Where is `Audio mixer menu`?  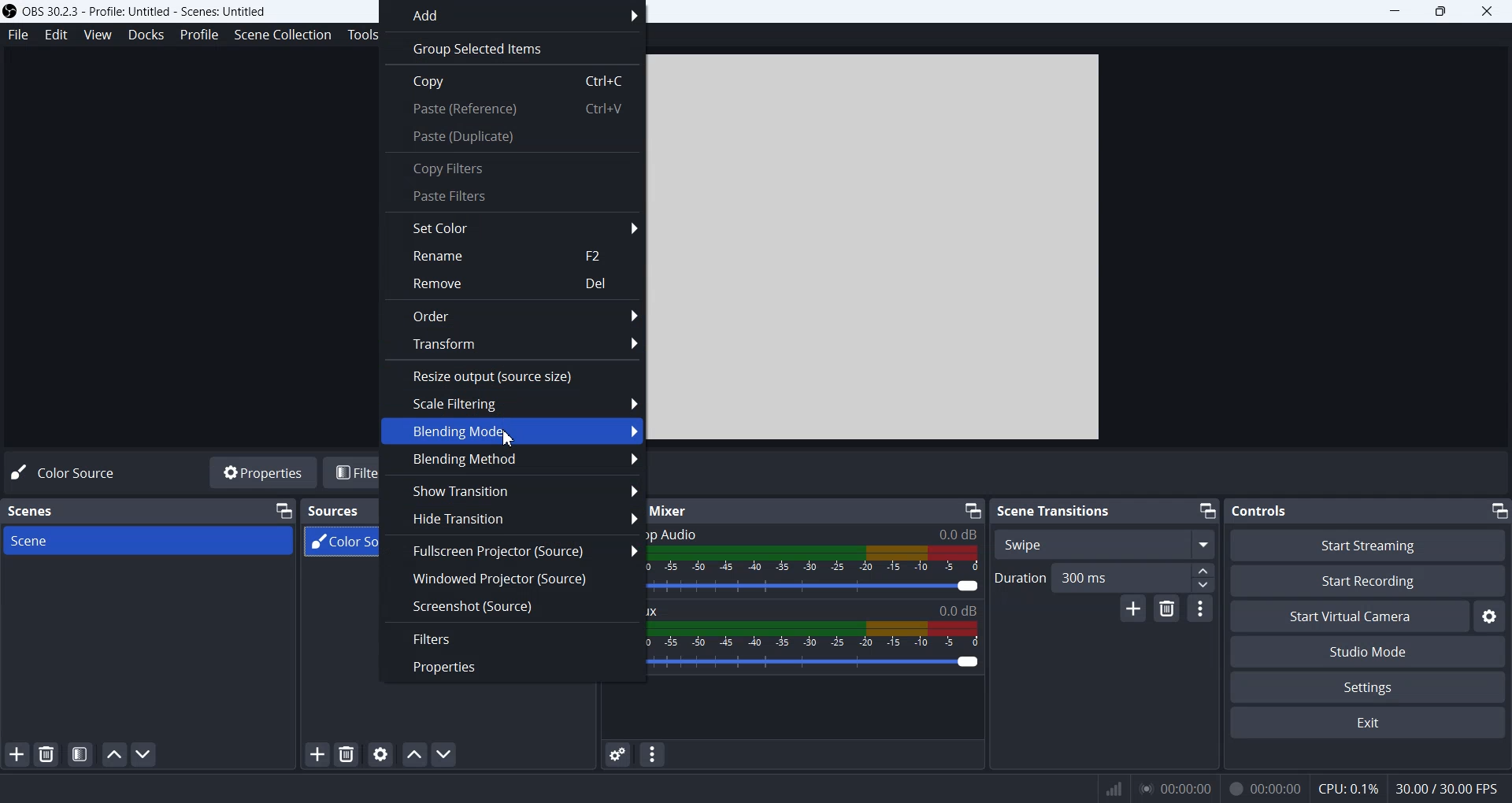
Audio mixer menu is located at coordinates (654, 754).